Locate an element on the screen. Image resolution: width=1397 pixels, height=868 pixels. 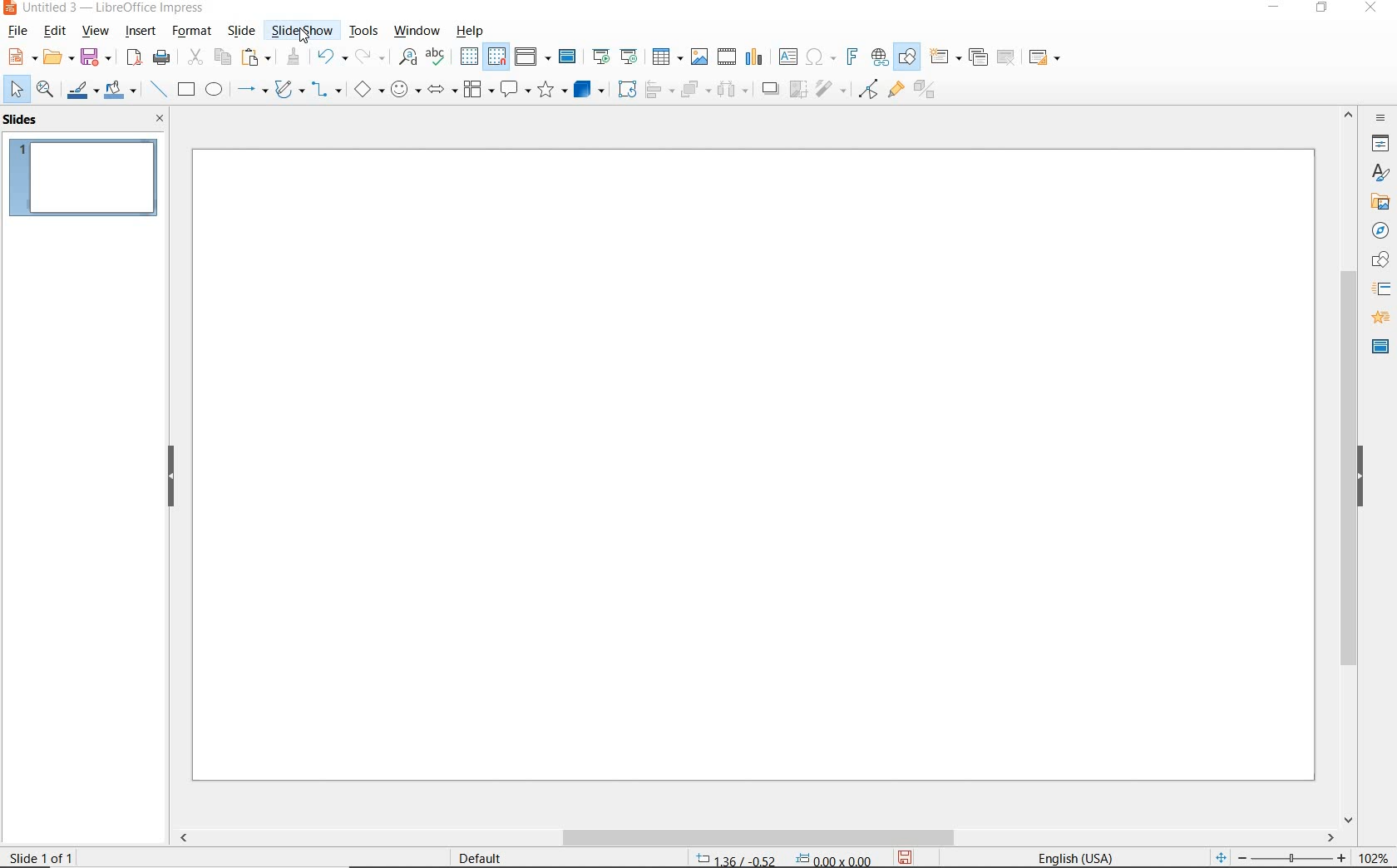
cursor is located at coordinates (304, 37).